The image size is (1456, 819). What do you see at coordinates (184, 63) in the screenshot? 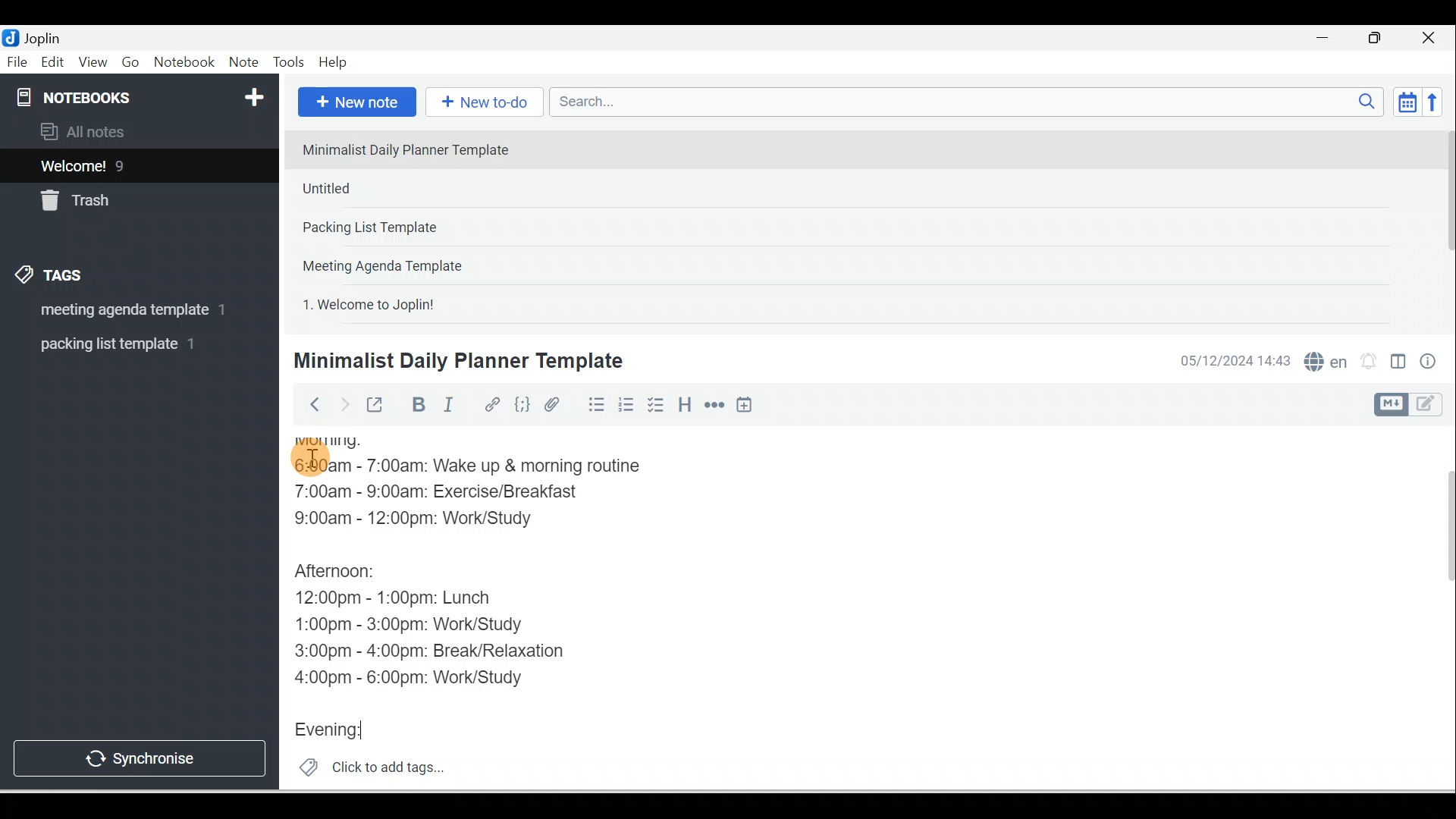
I see `Notebook` at bounding box center [184, 63].